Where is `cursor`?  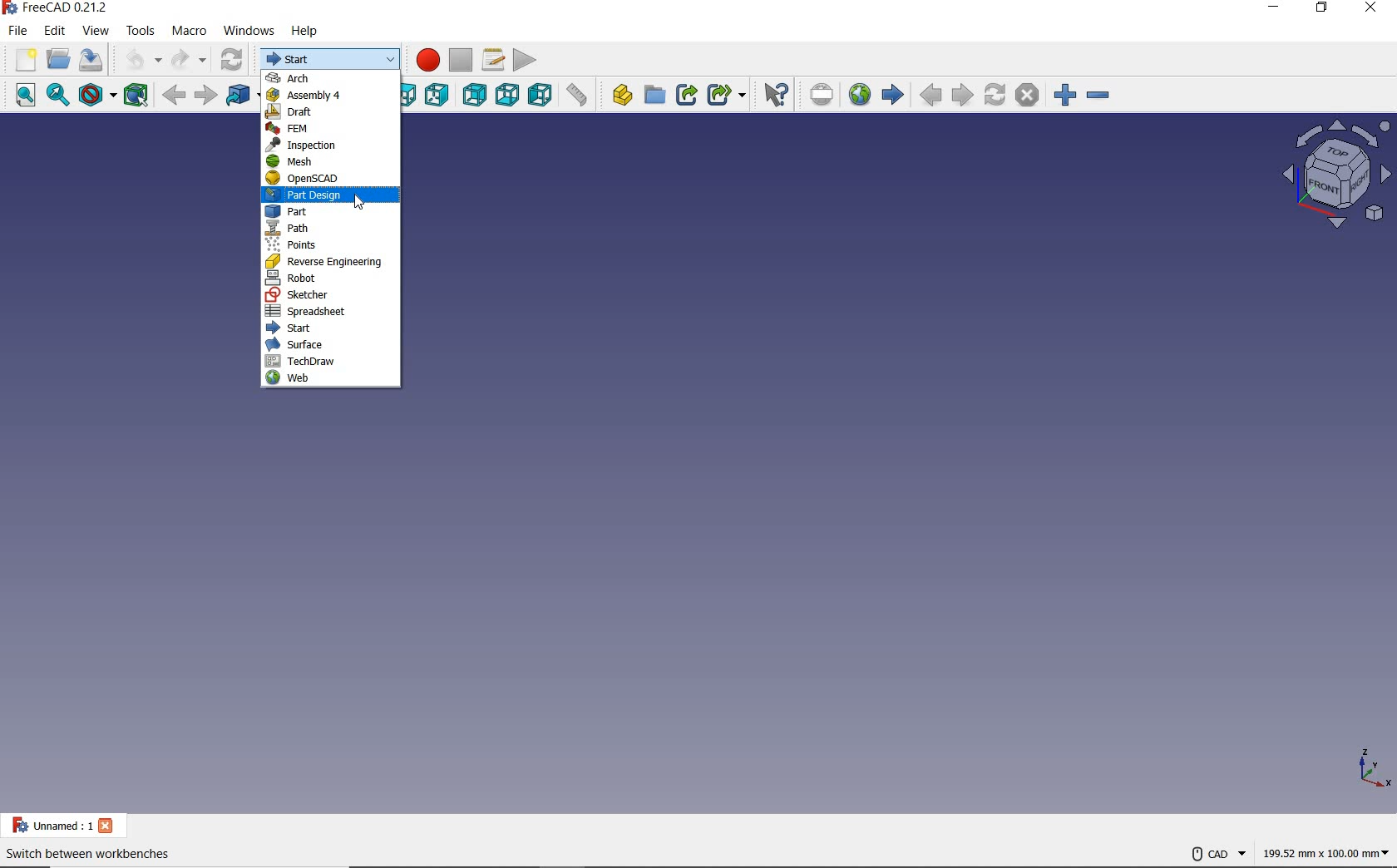
cursor is located at coordinates (358, 200).